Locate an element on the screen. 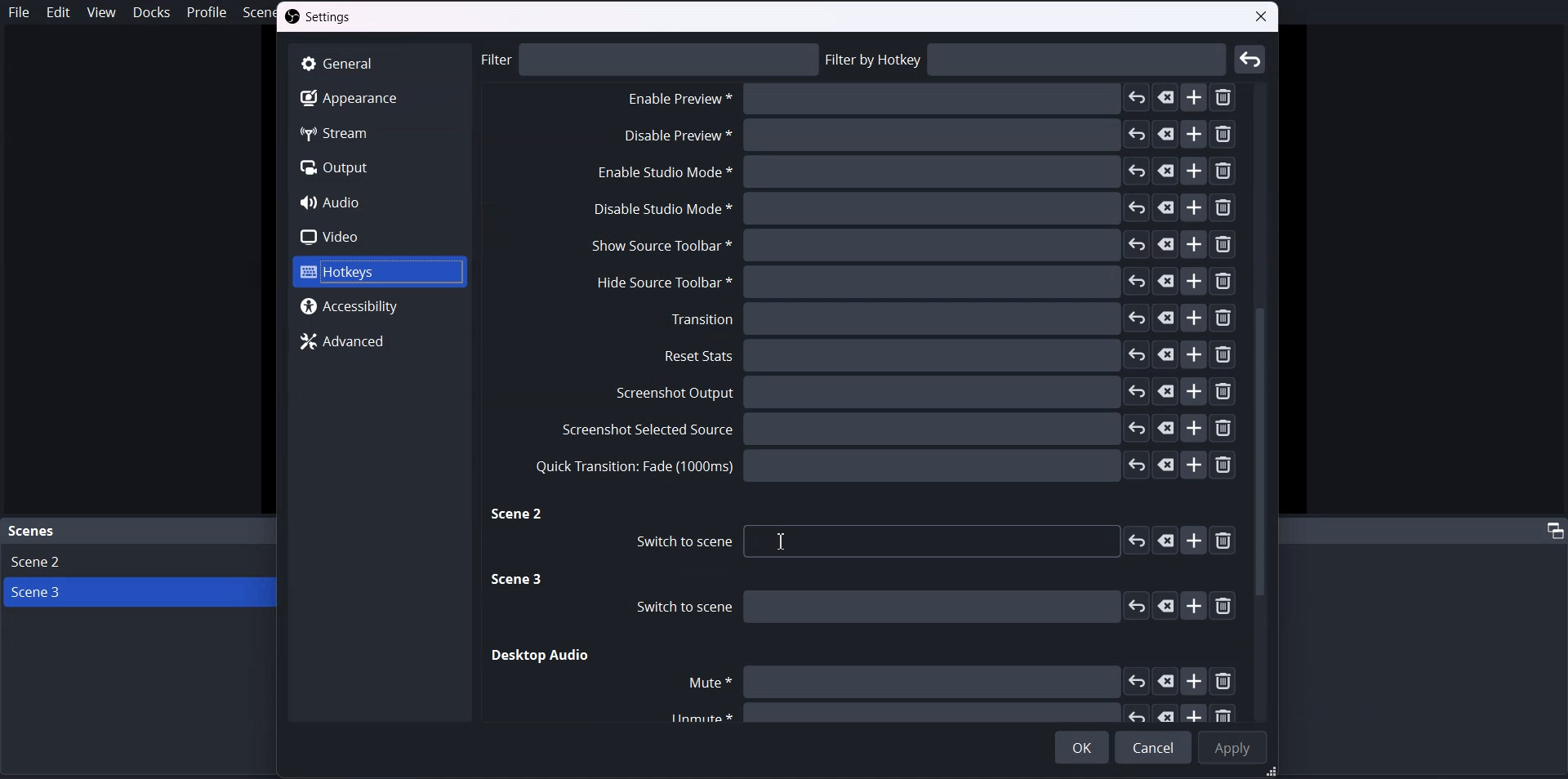 The image size is (1568, 779). OK is located at coordinates (1082, 747).